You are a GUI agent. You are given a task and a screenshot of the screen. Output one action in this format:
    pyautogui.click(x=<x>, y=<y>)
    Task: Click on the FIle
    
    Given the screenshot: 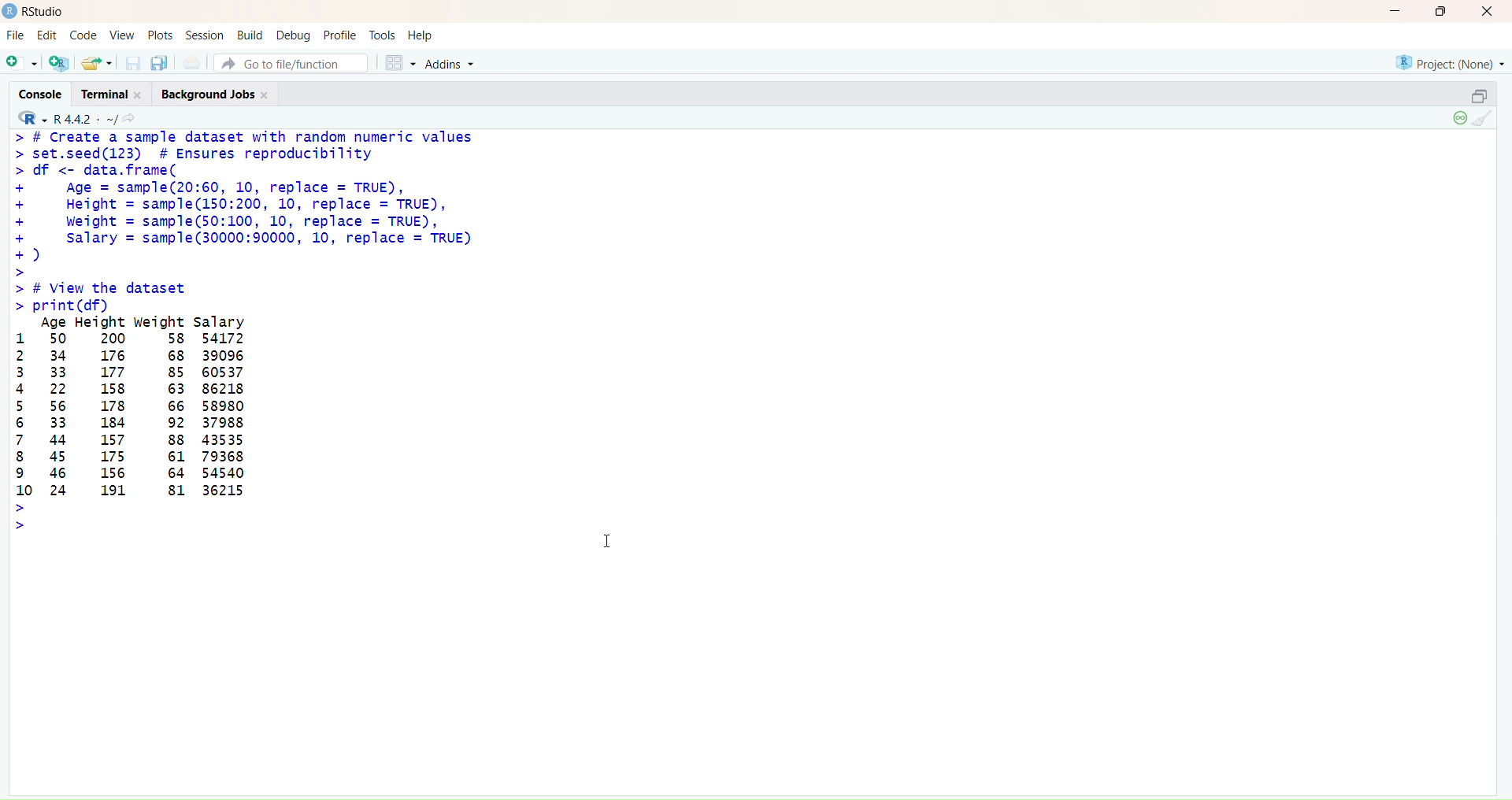 What is the action you would take?
    pyautogui.click(x=16, y=35)
    